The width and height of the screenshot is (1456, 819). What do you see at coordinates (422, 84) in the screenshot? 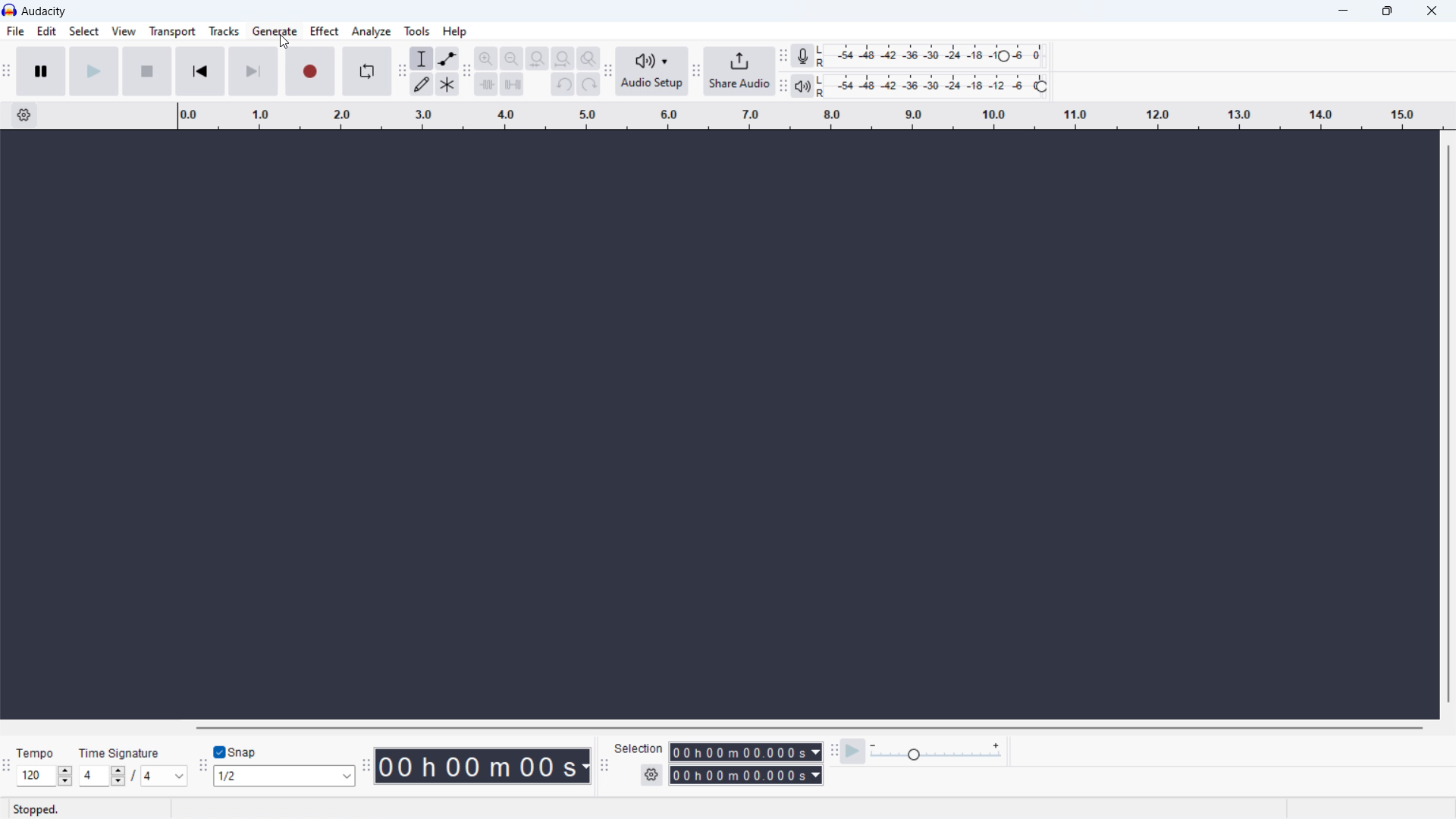
I see `draw tool` at bounding box center [422, 84].